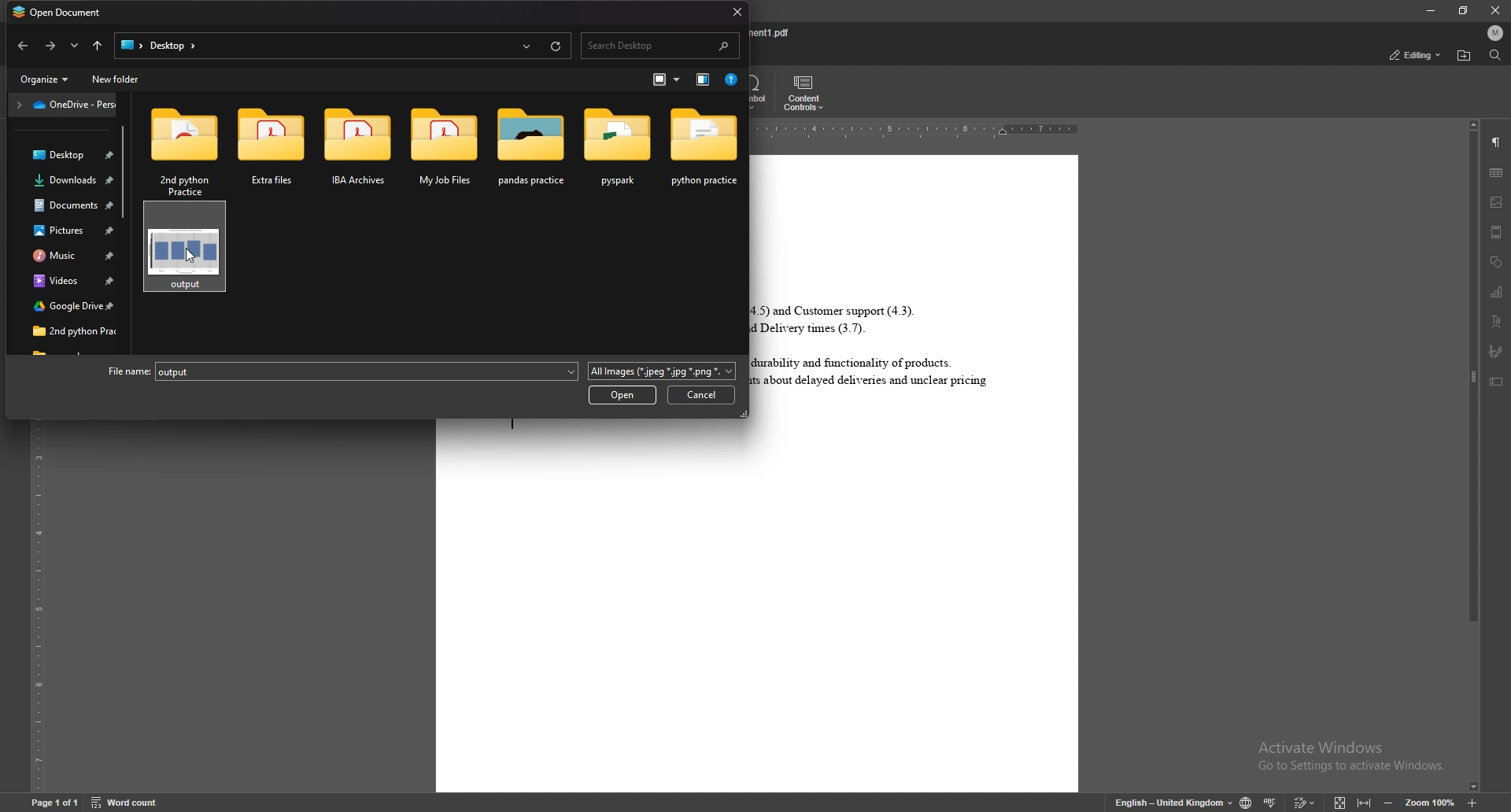 The image size is (1511, 812). Describe the element at coordinates (1470, 803) in the screenshot. I see `increase zoom` at that location.